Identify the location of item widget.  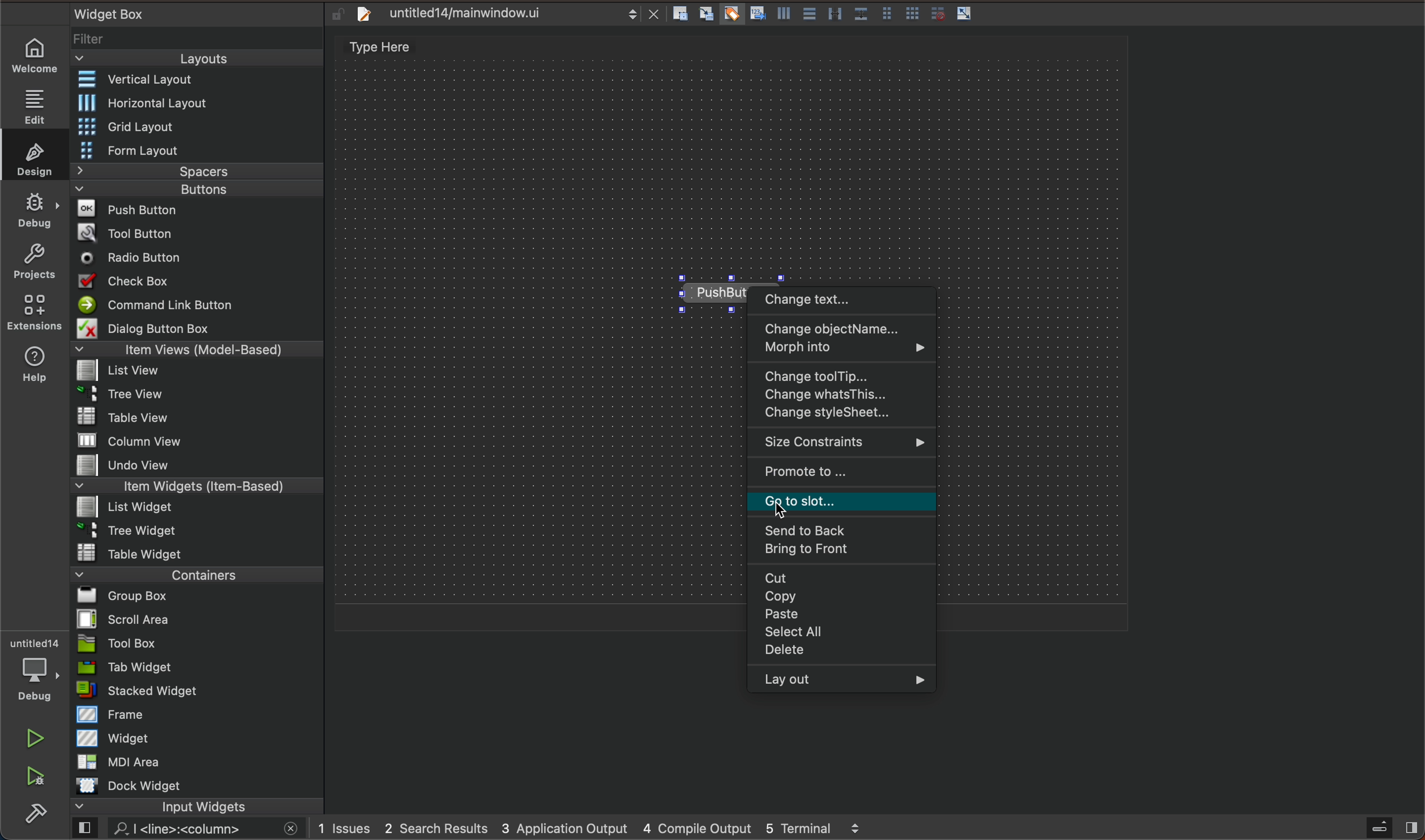
(200, 489).